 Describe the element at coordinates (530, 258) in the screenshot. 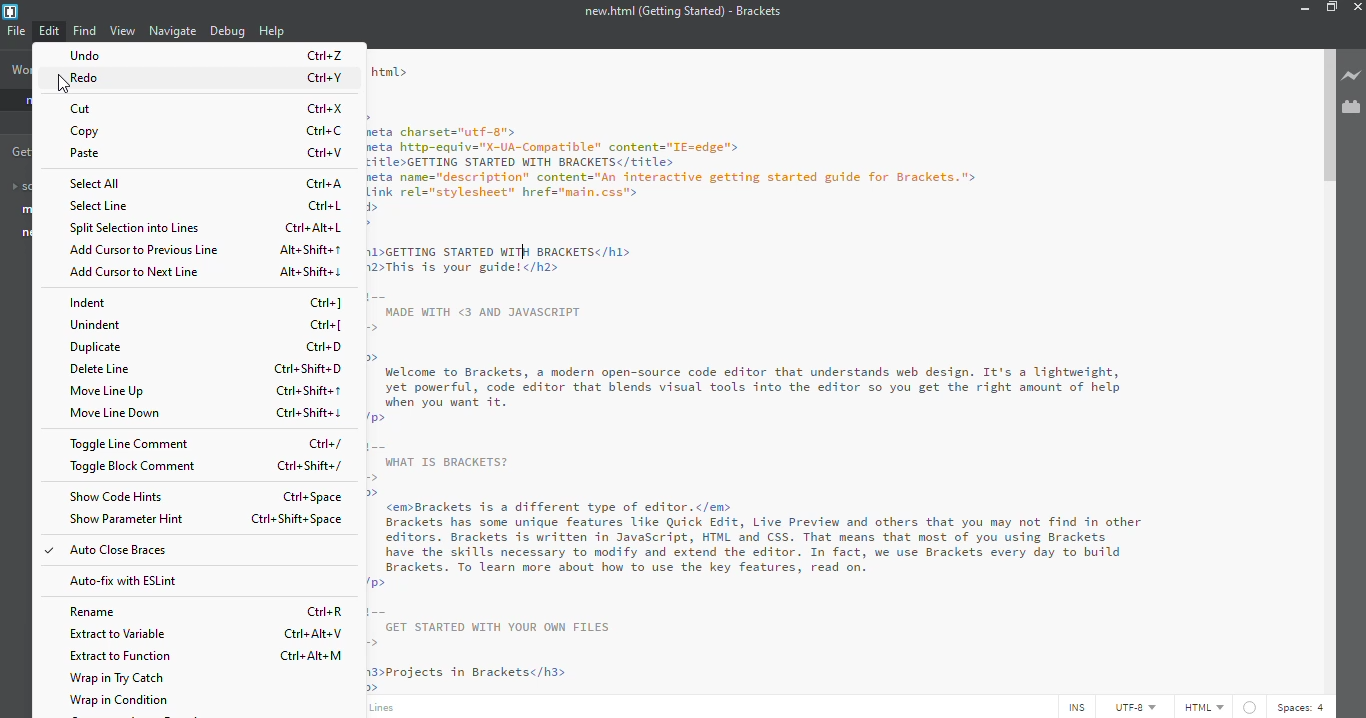

I see `<h1>GETTING STARTED WITH BRACKETS</h1>
ADThis 1s your guddel</hd>` at that location.